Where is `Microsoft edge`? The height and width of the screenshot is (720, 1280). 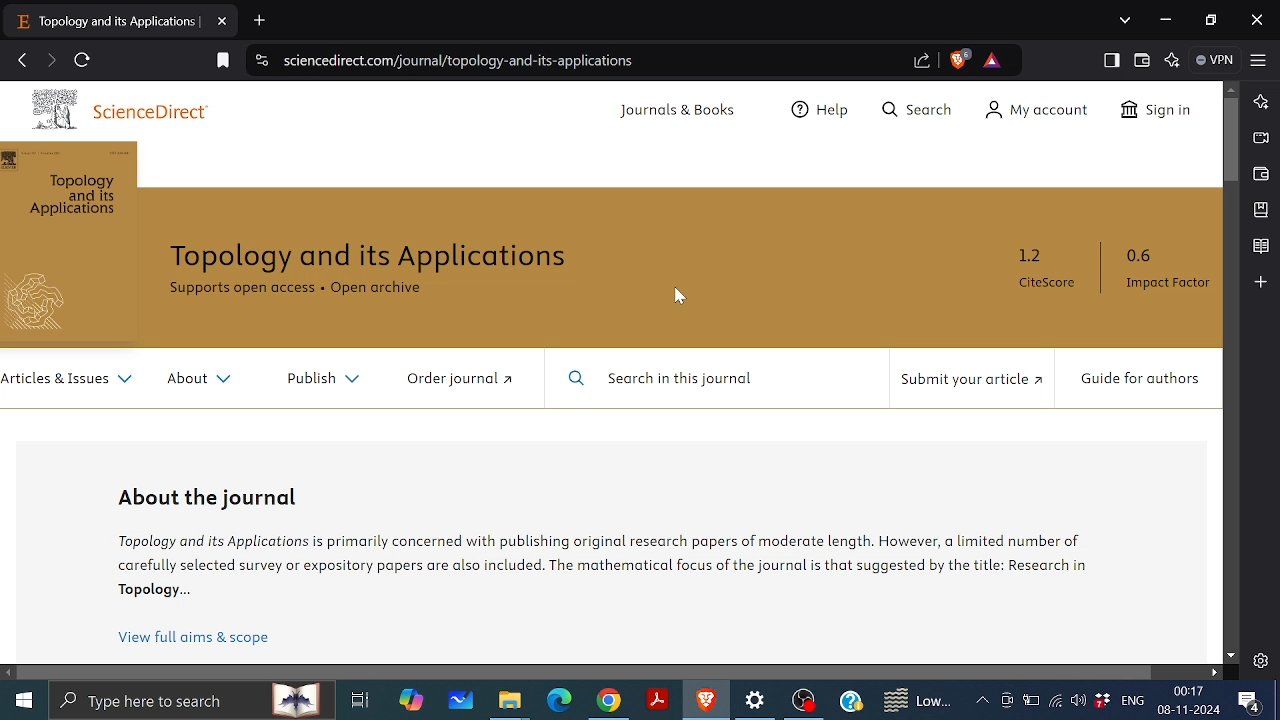 Microsoft edge is located at coordinates (558, 702).